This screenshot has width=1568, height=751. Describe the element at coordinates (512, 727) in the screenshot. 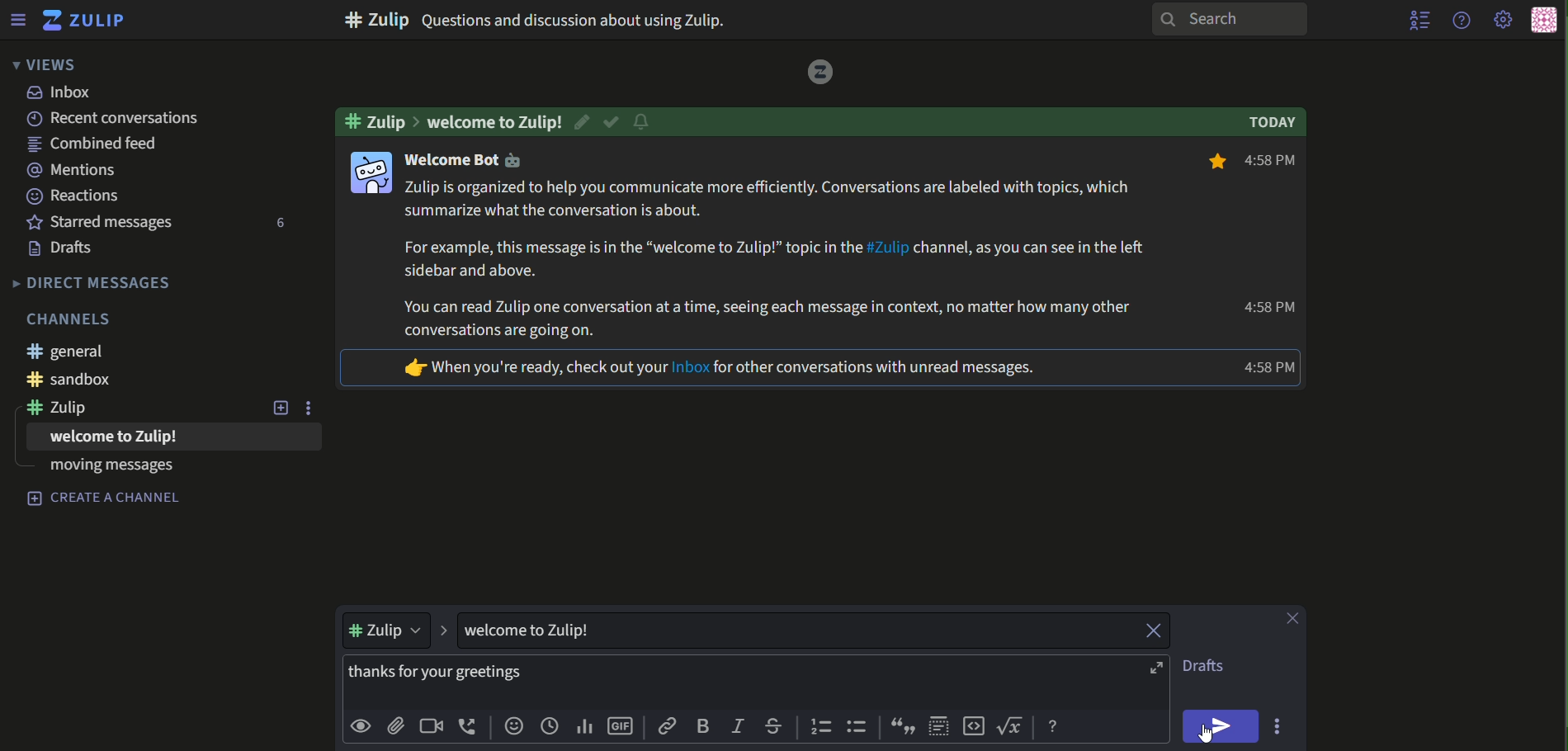

I see `add emoji` at that location.